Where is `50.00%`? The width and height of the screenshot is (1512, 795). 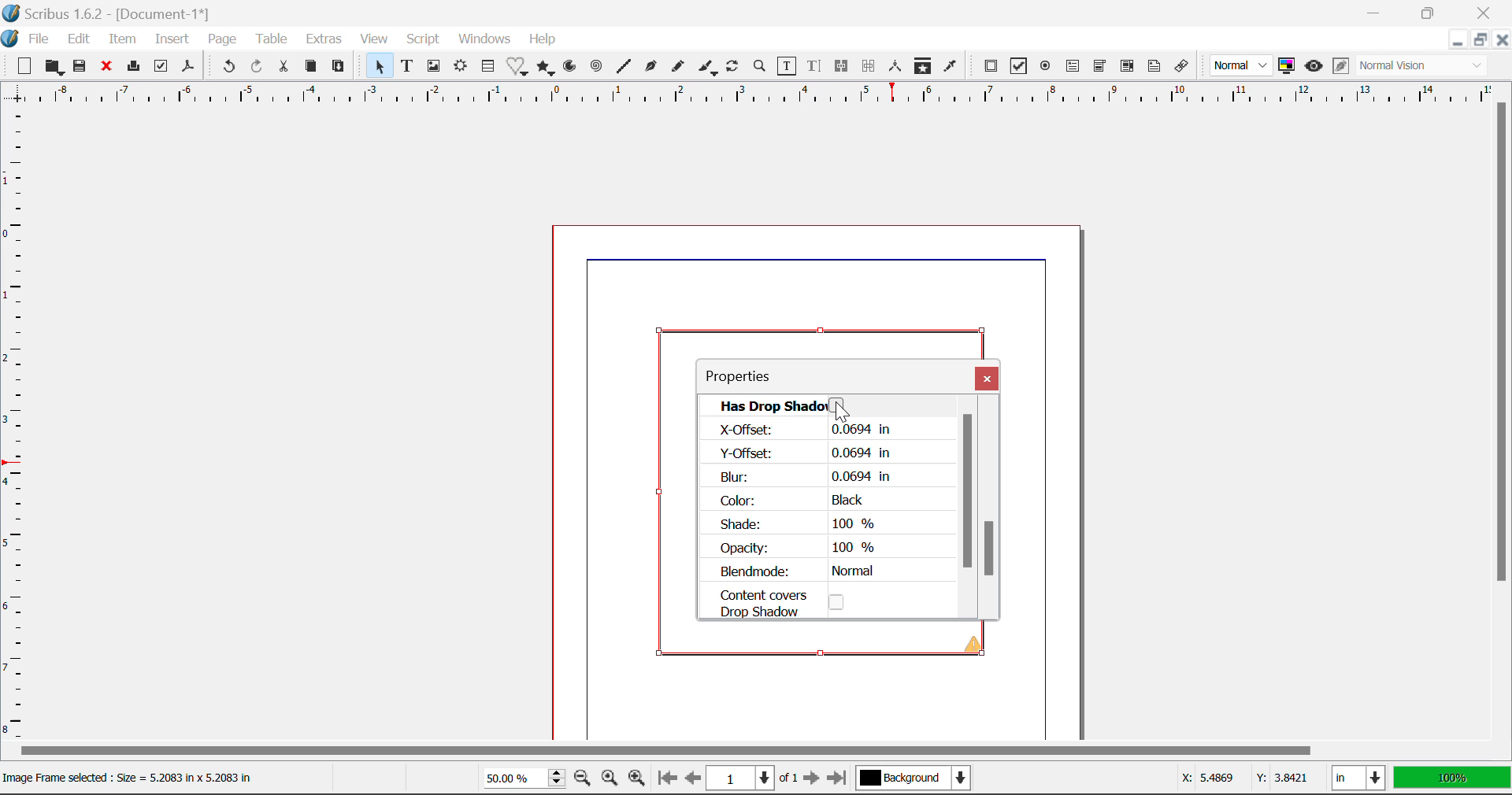
50.00% is located at coordinates (521, 777).